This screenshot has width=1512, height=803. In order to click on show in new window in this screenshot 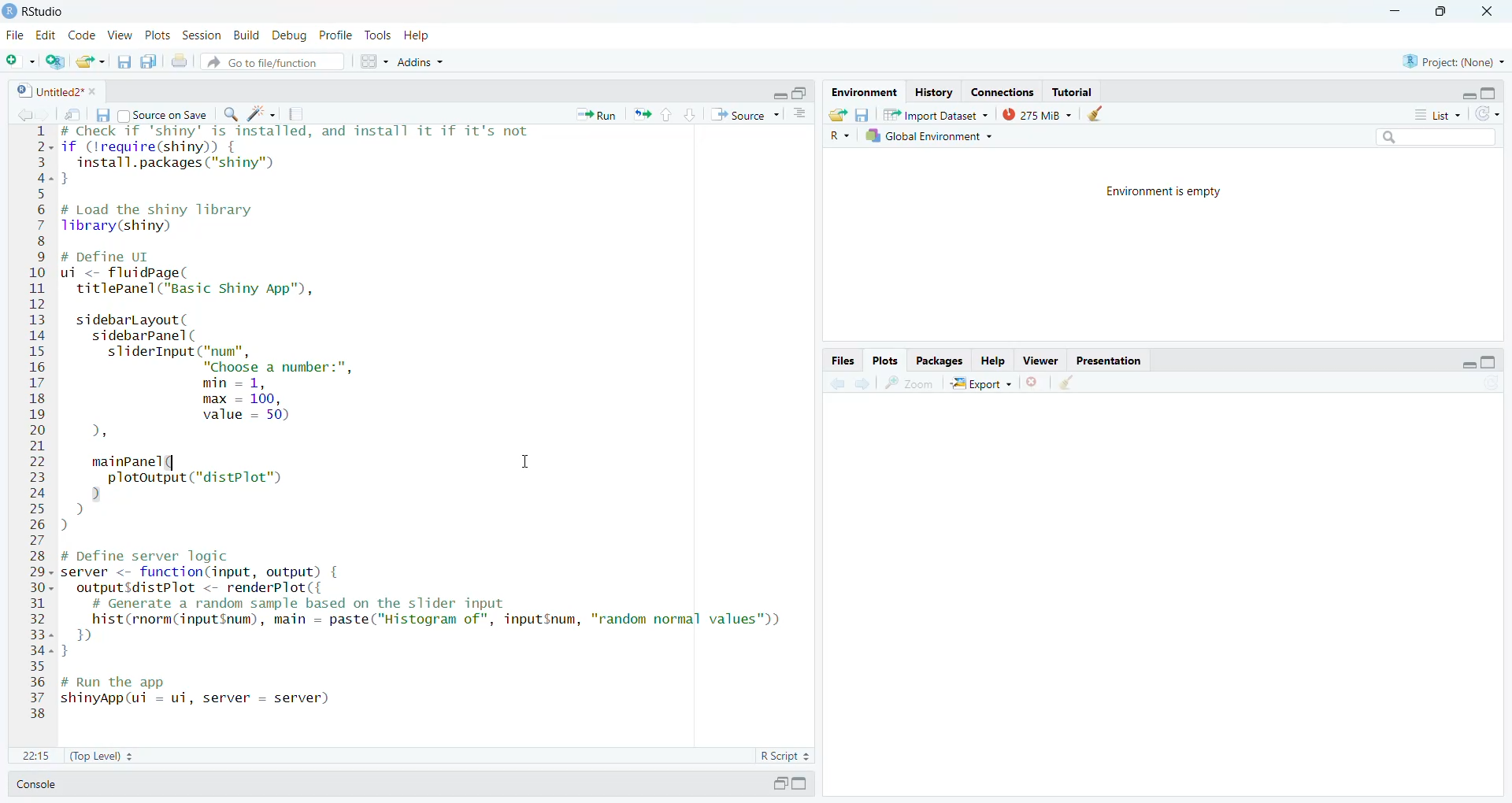, I will do `click(72, 115)`.